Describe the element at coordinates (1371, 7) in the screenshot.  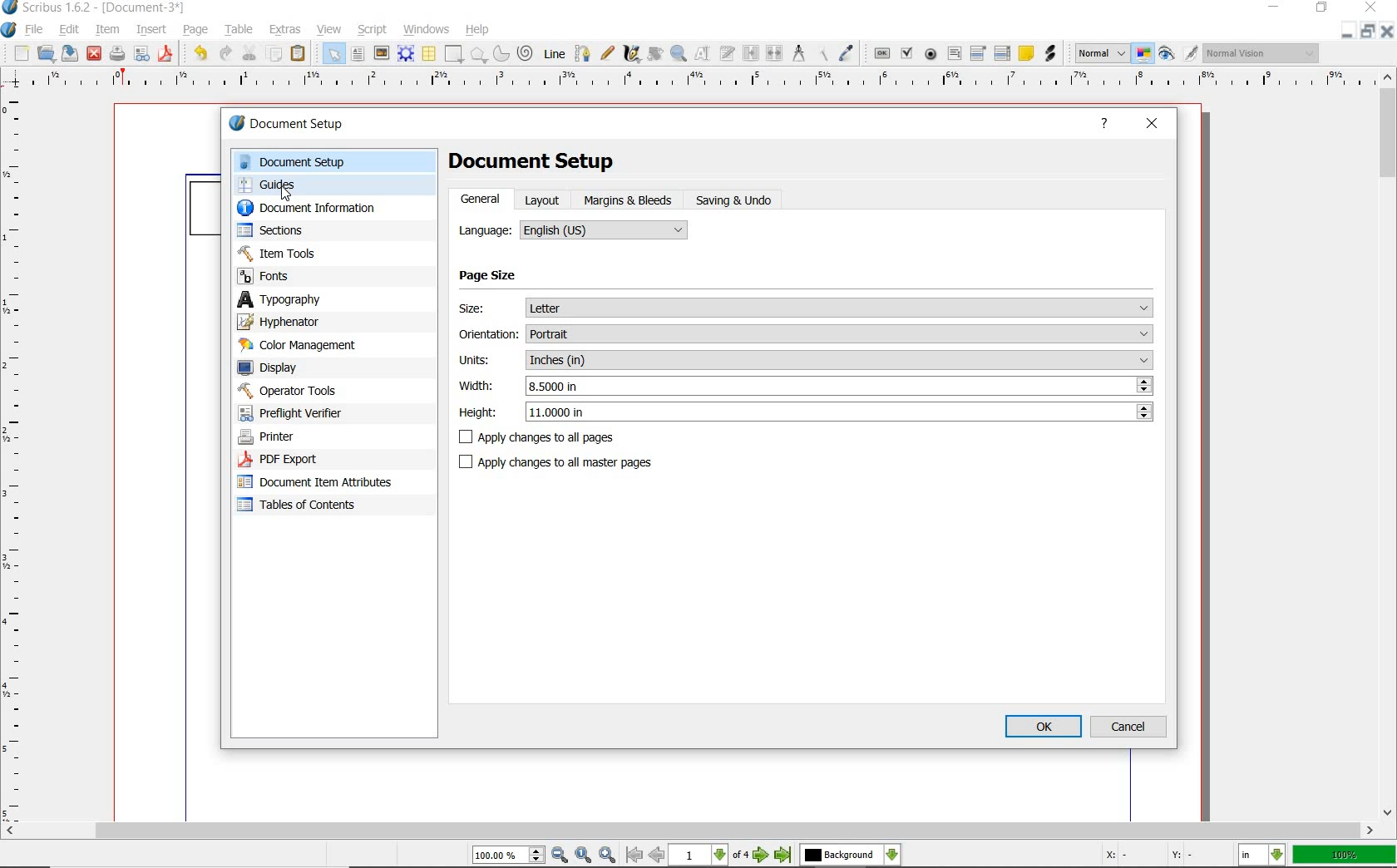
I see `close` at that location.